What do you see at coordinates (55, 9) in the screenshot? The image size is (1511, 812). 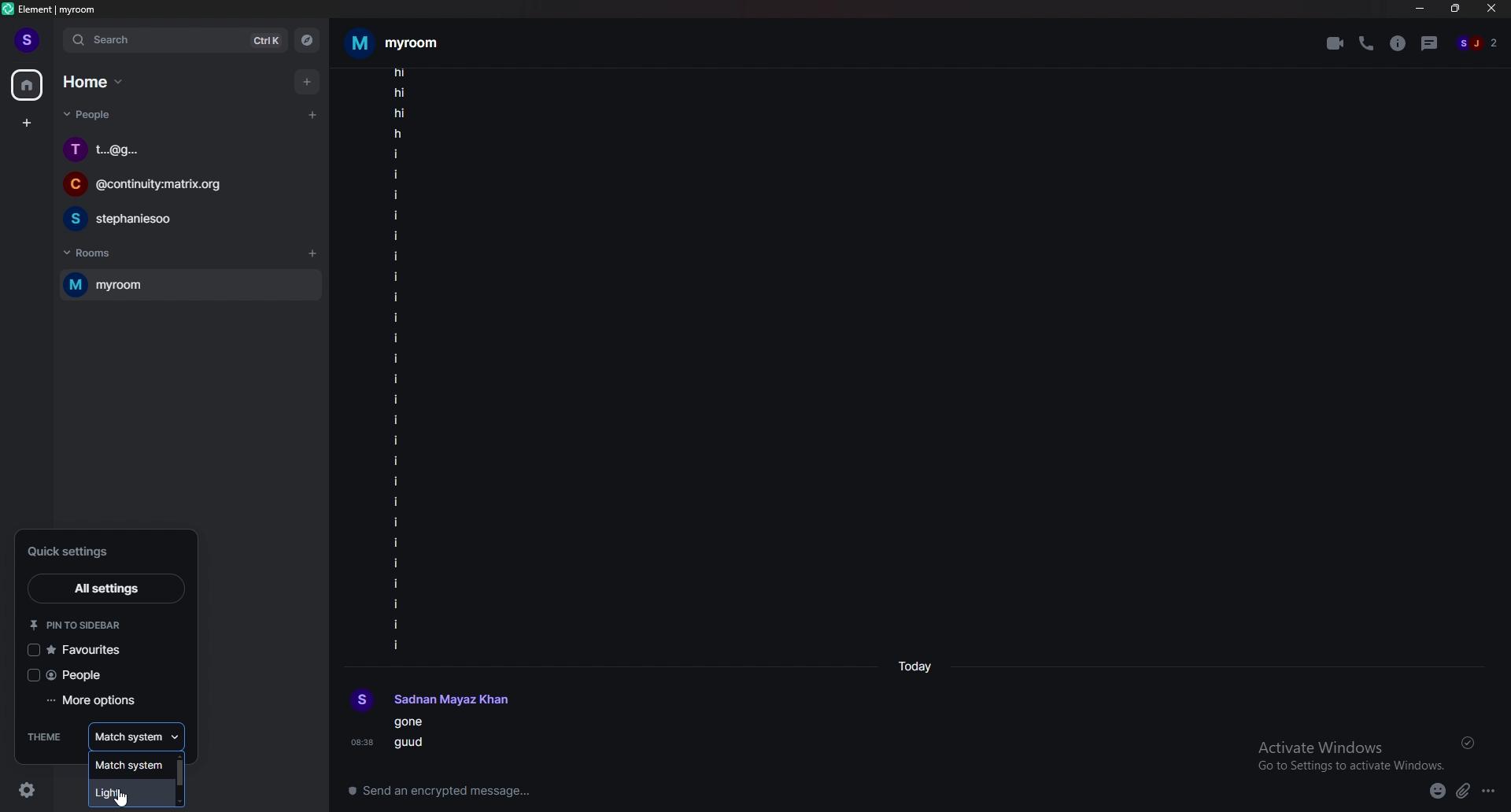 I see `title` at bounding box center [55, 9].